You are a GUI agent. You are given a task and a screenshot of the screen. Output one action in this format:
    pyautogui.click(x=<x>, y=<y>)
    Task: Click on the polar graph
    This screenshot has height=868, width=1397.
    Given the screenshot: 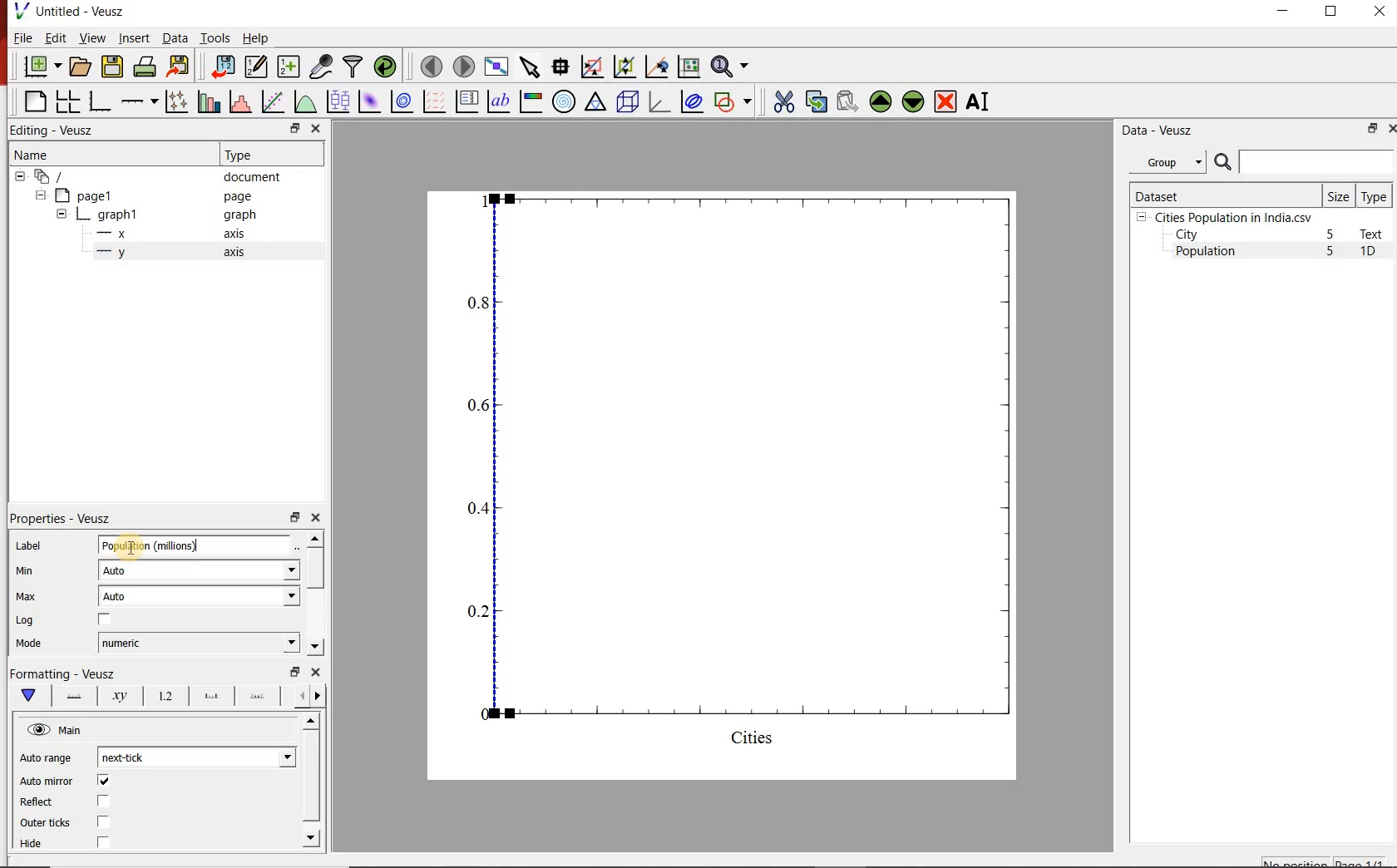 What is the action you would take?
    pyautogui.click(x=564, y=101)
    